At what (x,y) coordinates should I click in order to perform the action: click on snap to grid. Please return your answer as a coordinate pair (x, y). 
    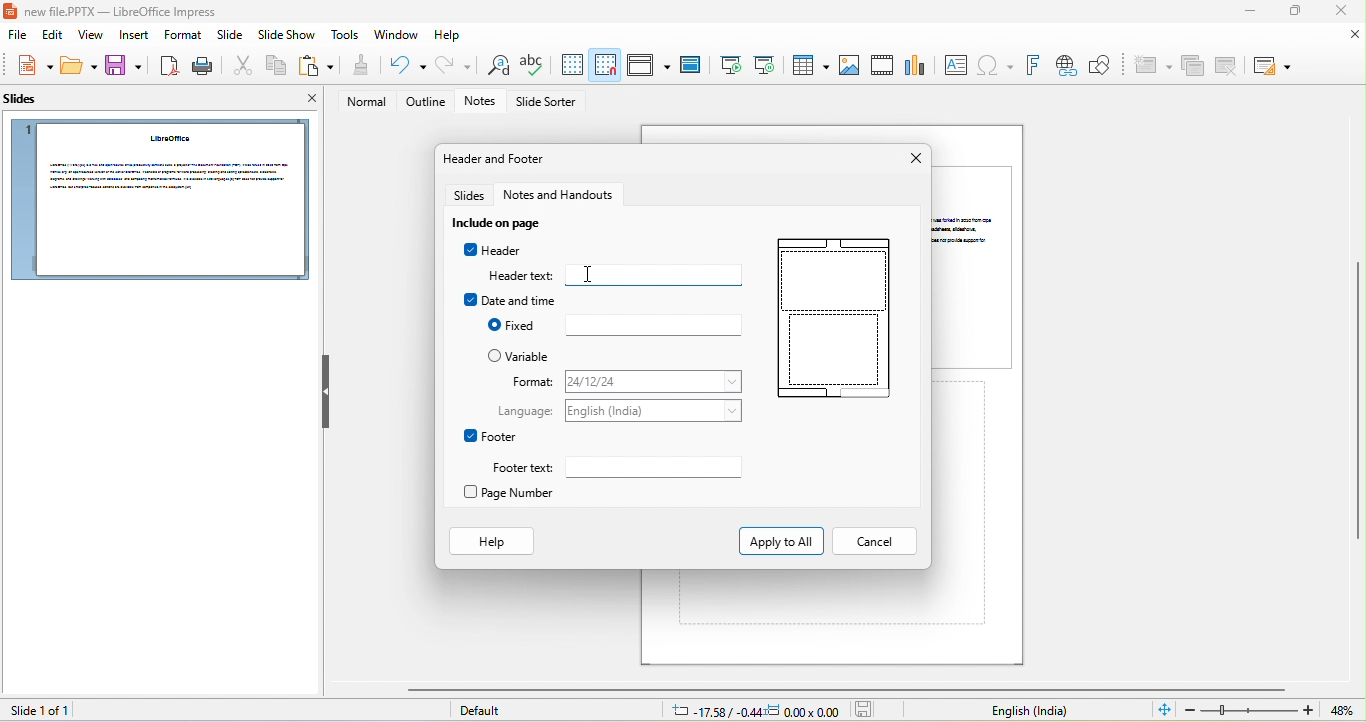
    Looking at the image, I should click on (606, 64).